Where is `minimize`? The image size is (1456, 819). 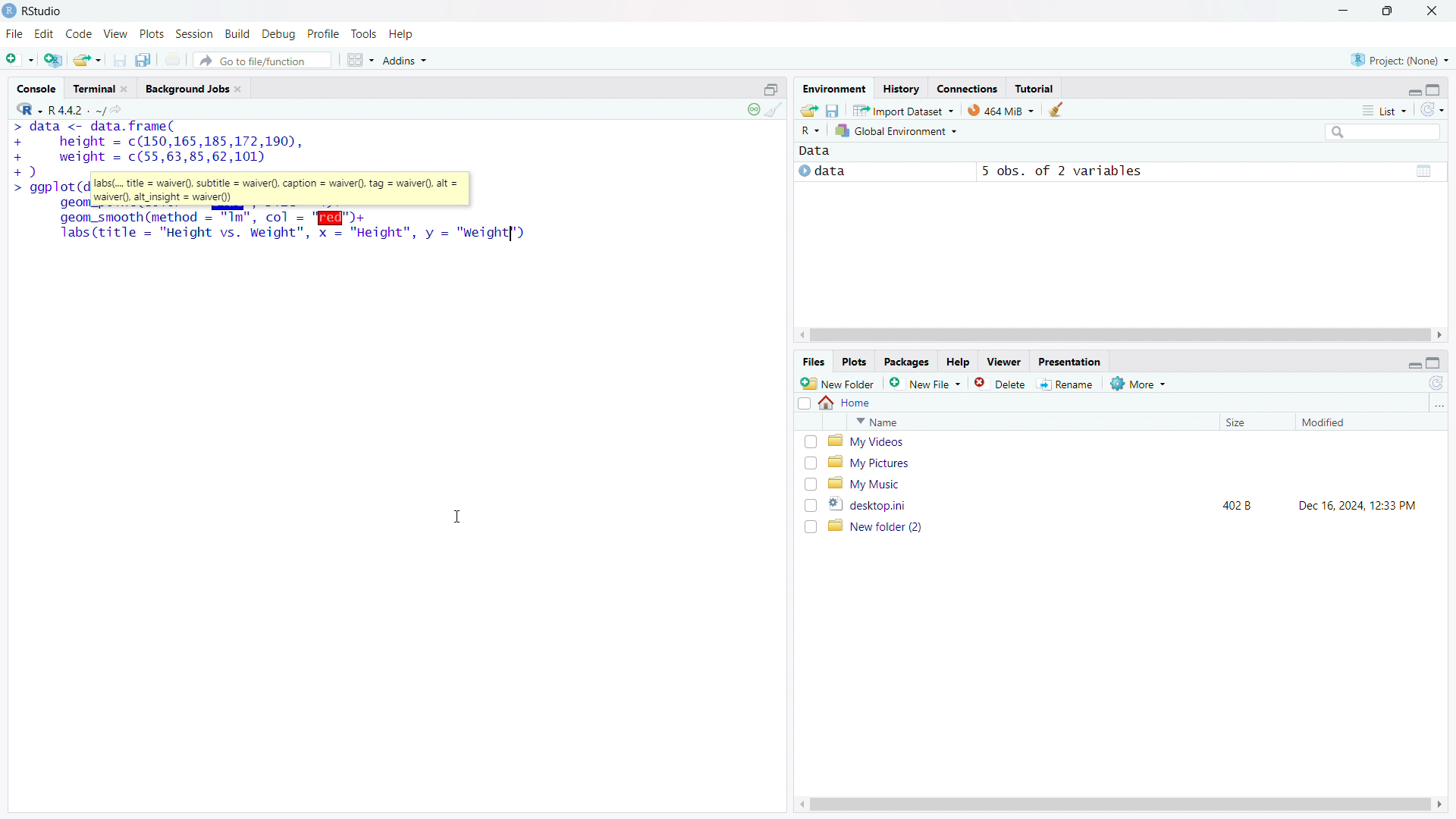
minimize is located at coordinates (1341, 11).